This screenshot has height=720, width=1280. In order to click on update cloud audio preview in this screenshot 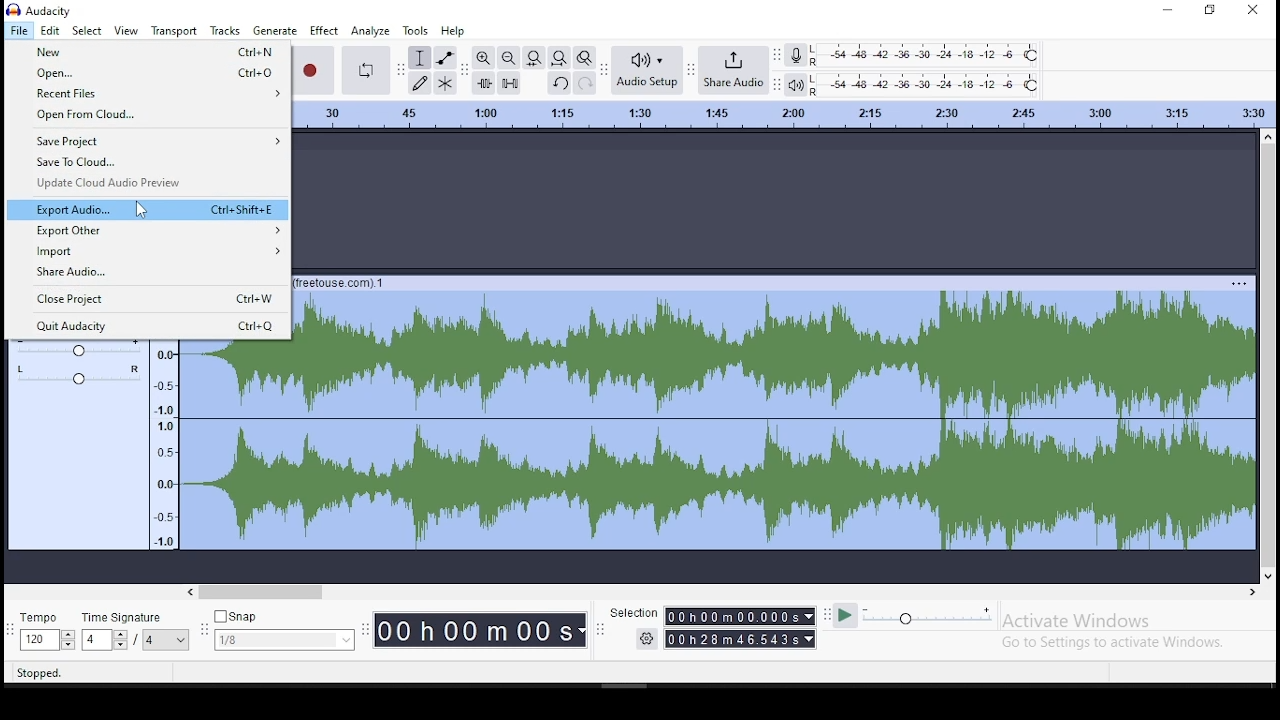, I will do `click(148, 184)`.